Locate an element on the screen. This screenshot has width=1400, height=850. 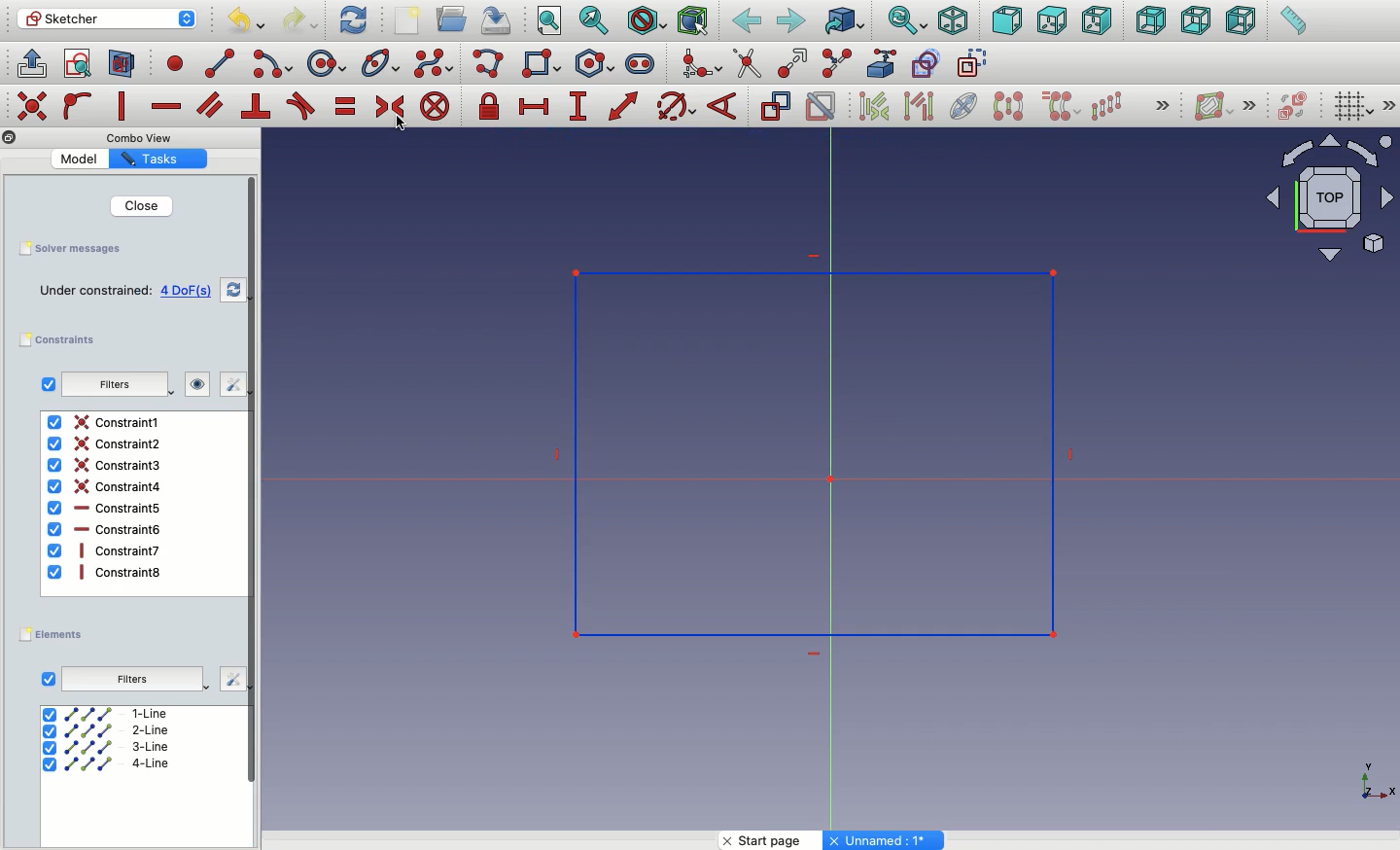
Save is located at coordinates (494, 18).